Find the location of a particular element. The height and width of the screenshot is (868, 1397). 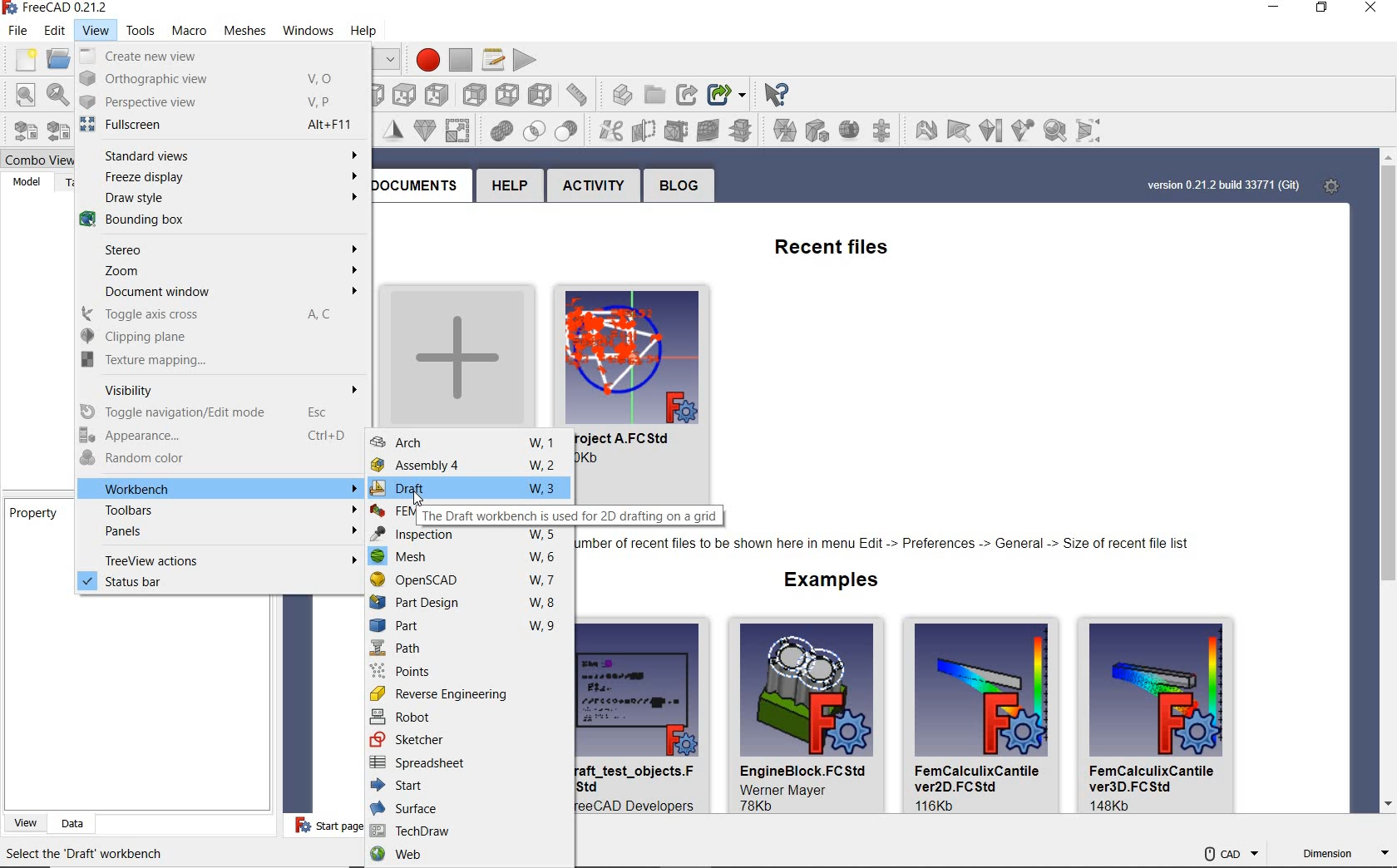

create mesh segments from best-fit surfaces is located at coordinates (847, 131).